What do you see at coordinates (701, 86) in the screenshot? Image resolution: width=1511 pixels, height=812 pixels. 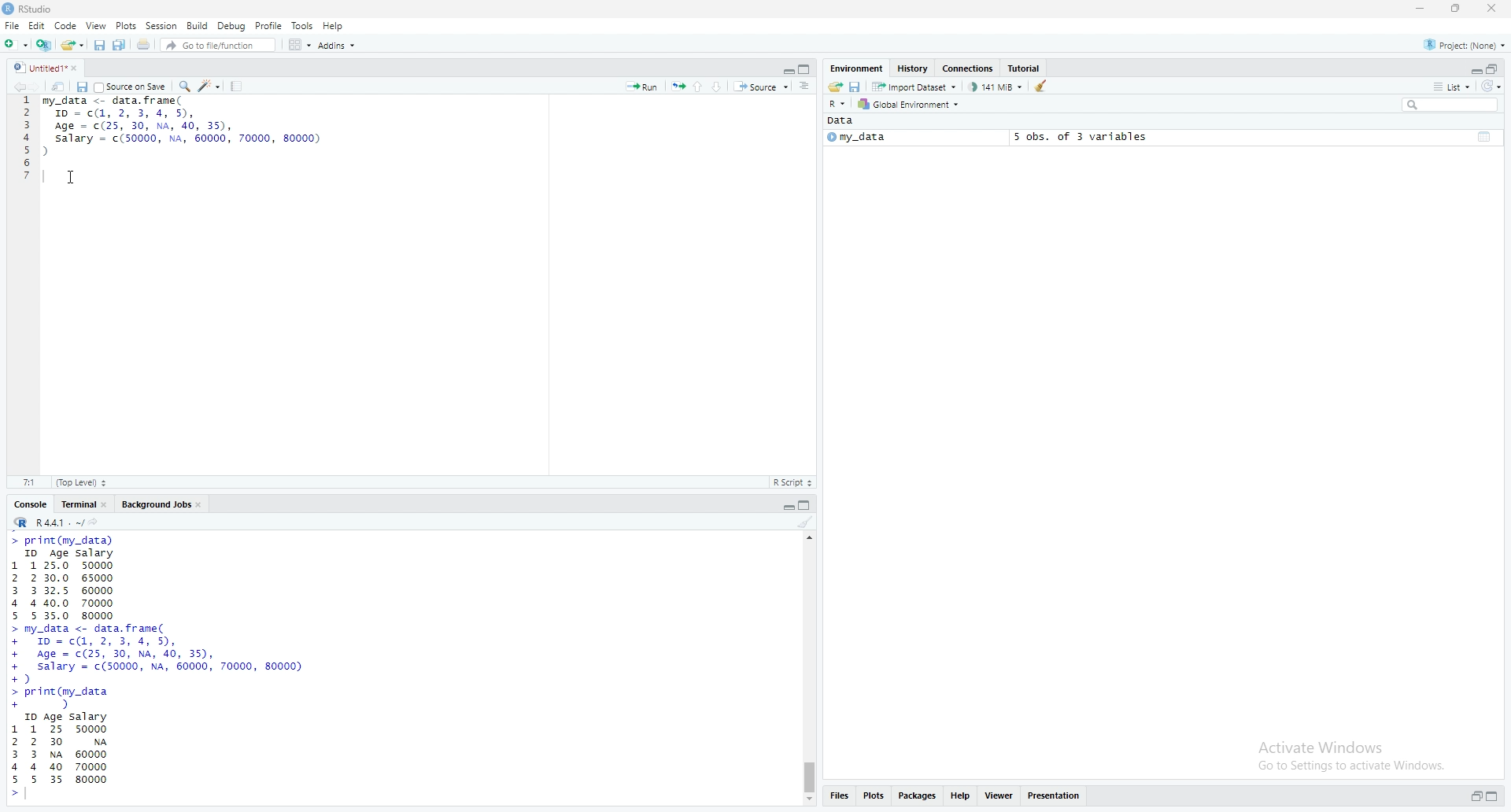 I see `go to the previous section` at bounding box center [701, 86].